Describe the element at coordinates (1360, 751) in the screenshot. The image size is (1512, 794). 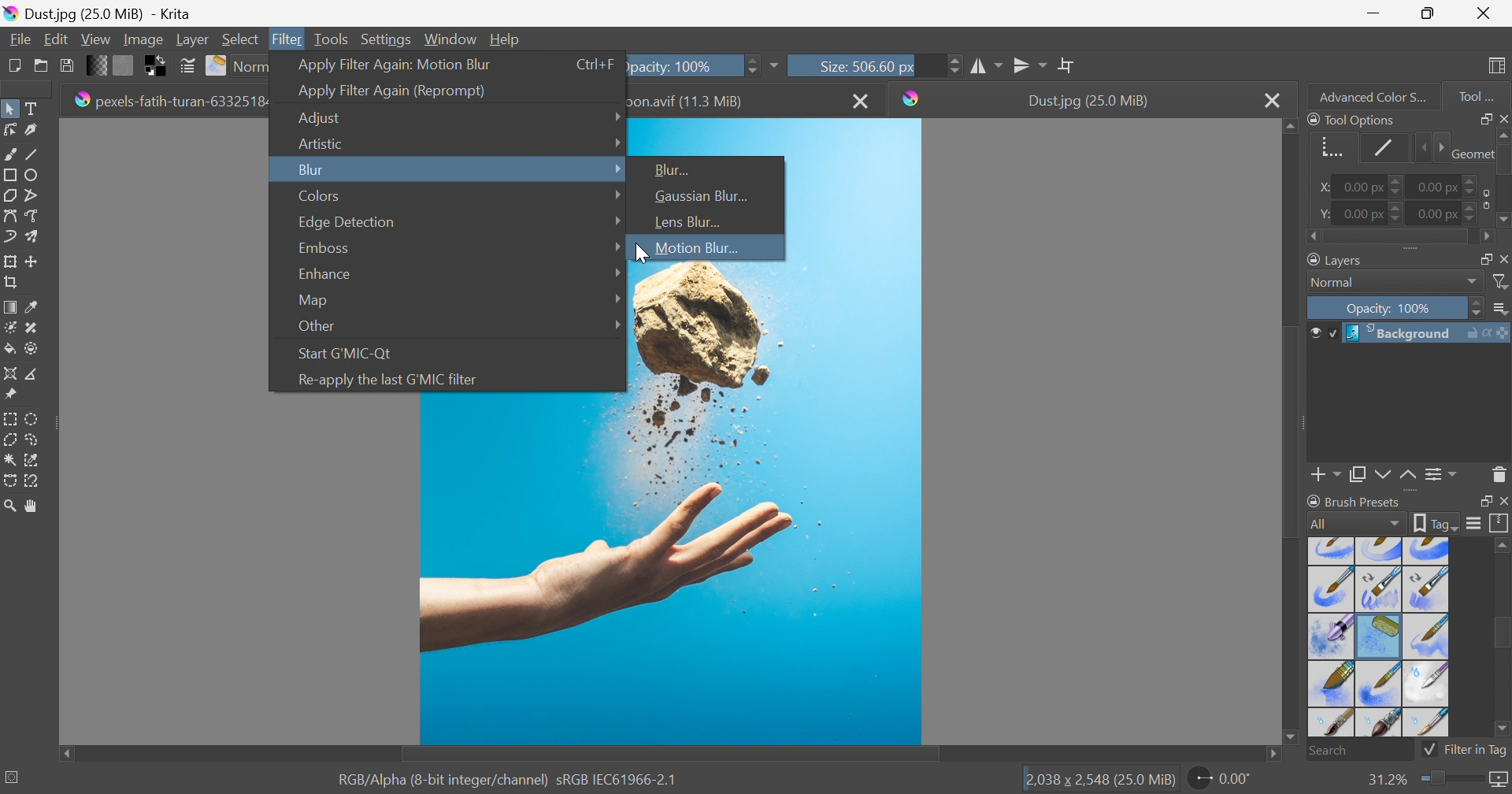
I see `Search` at that location.